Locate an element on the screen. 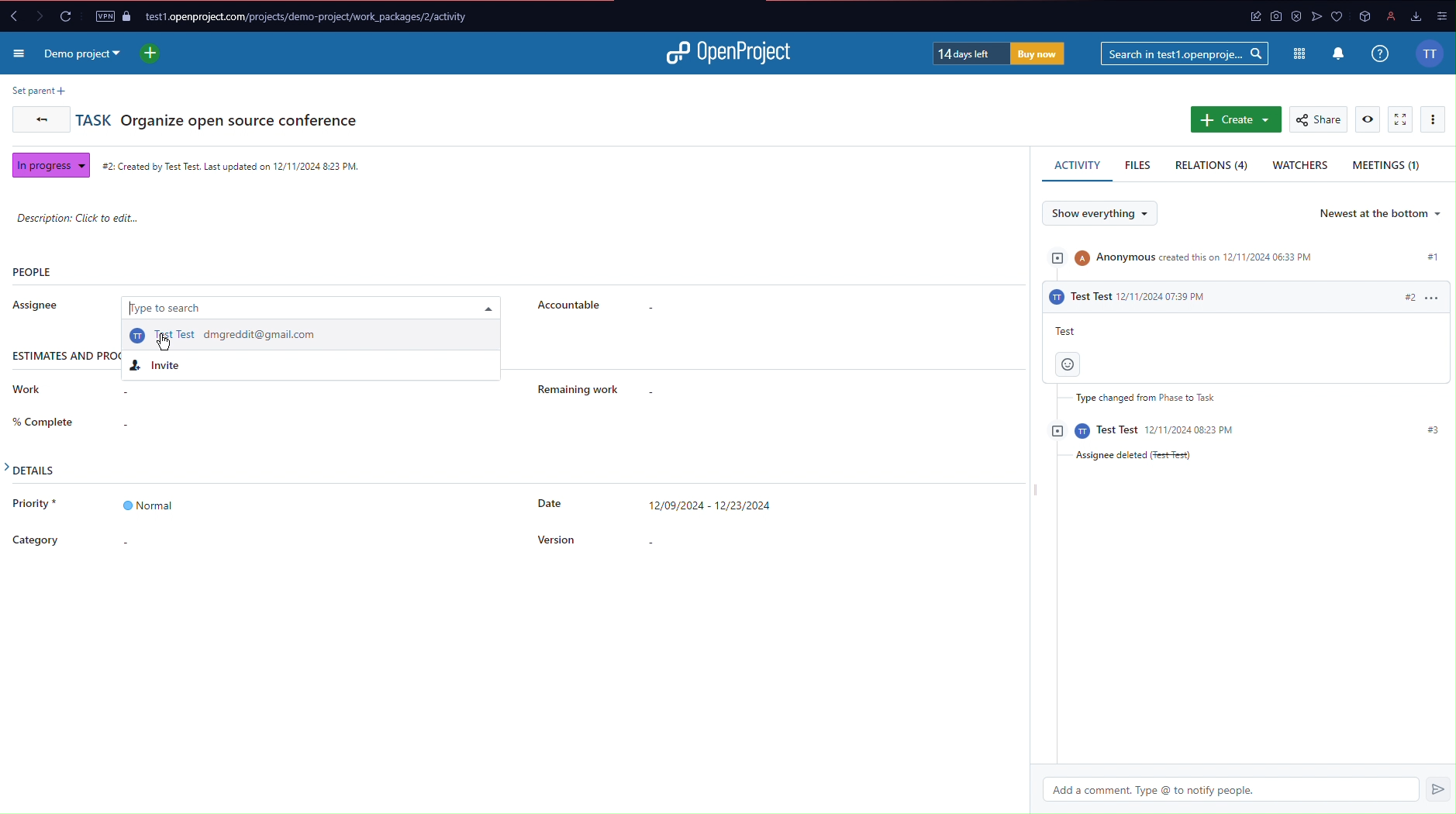 Image resolution: width=1456 pixels, height=814 pixels. Test test is located at coordinates (1132, 296).